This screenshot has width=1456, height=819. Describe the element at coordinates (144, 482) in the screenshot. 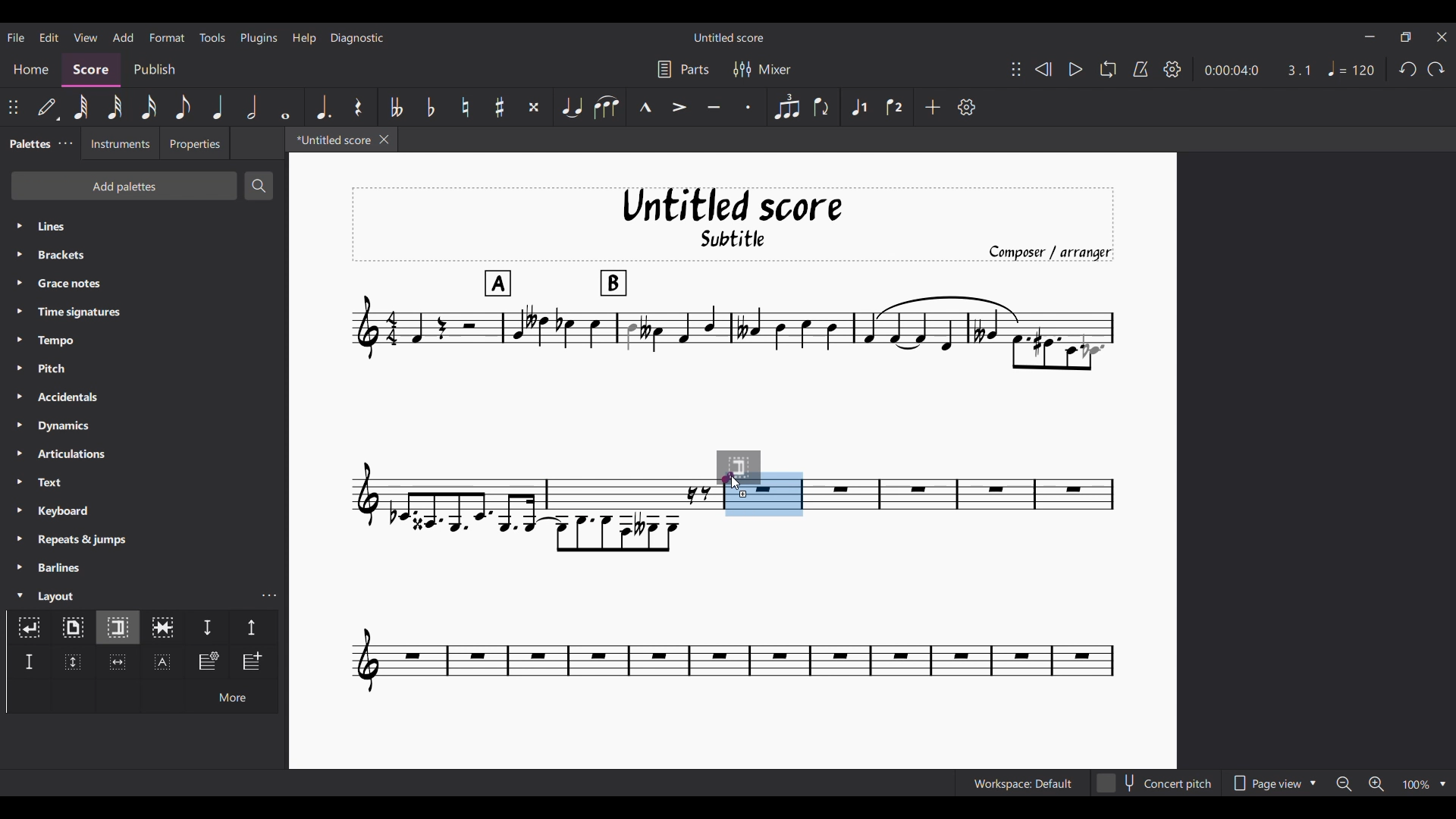

I see `Text` at that location.